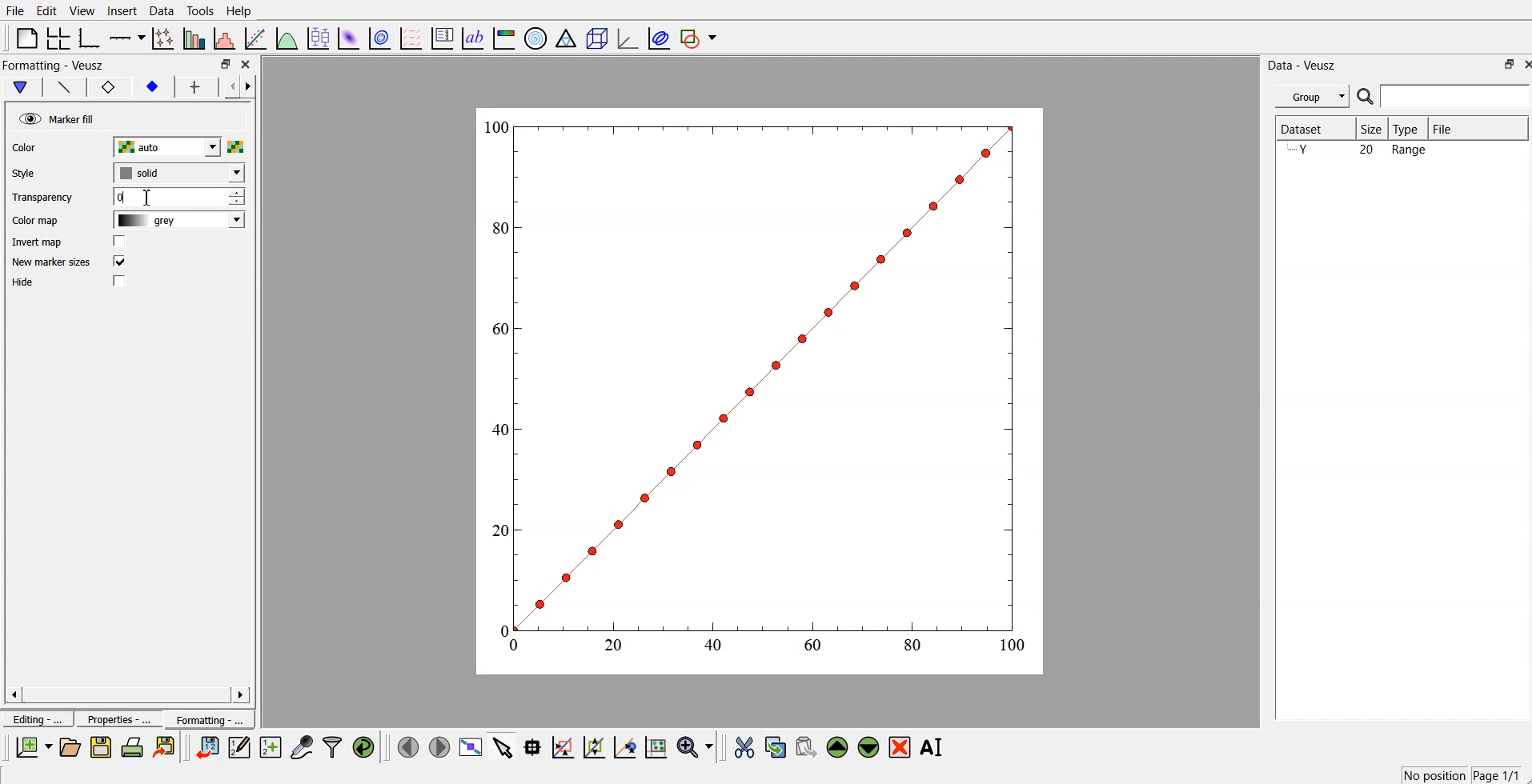 Image resolution: width=1532 pixels, height=784 pixels. Describe the element at coordinates (127, 37) in the screenshot. I see `add an axis to the plot` at that location.